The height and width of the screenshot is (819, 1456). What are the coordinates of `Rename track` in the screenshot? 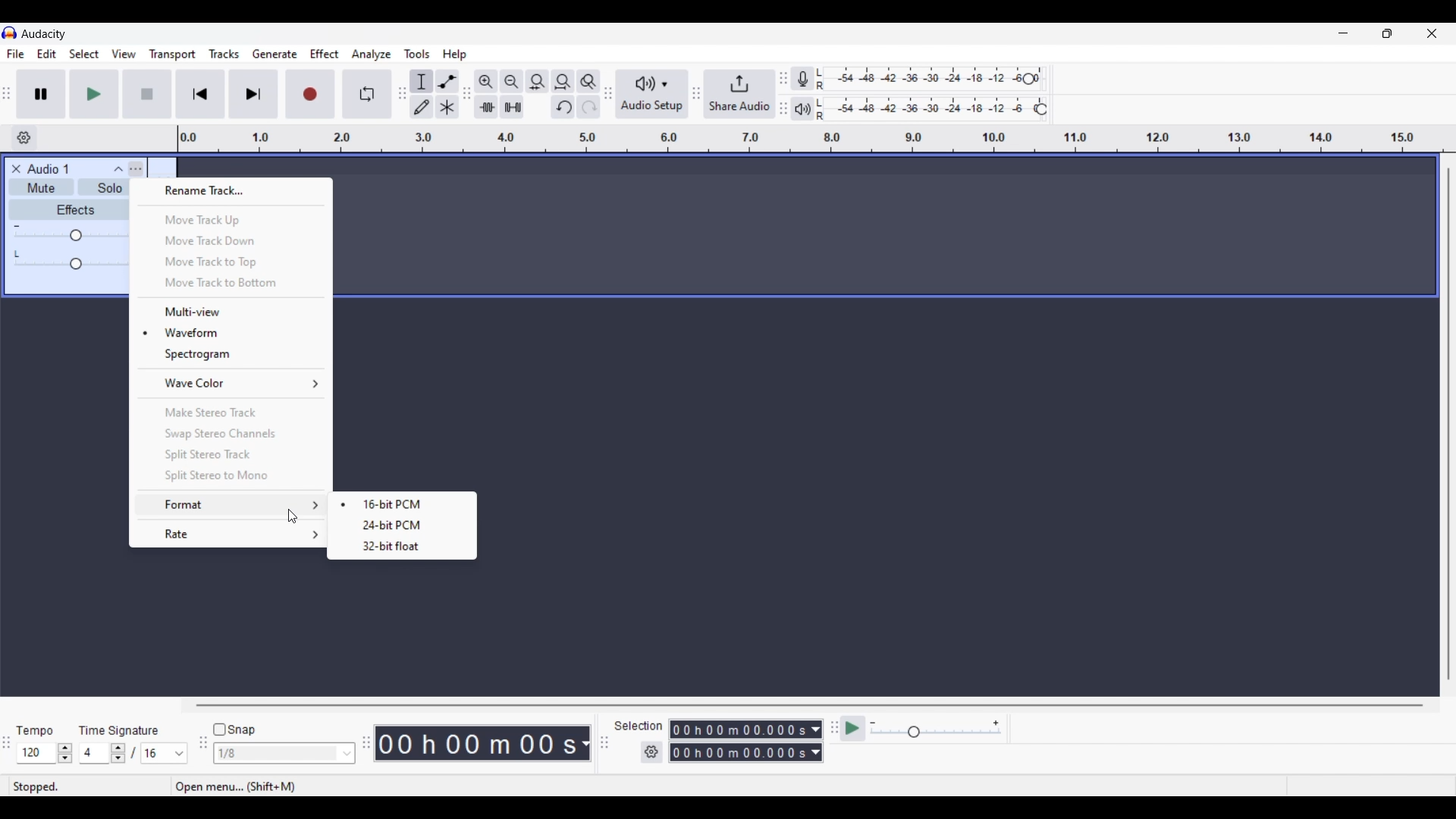 It's located at (231, 191).